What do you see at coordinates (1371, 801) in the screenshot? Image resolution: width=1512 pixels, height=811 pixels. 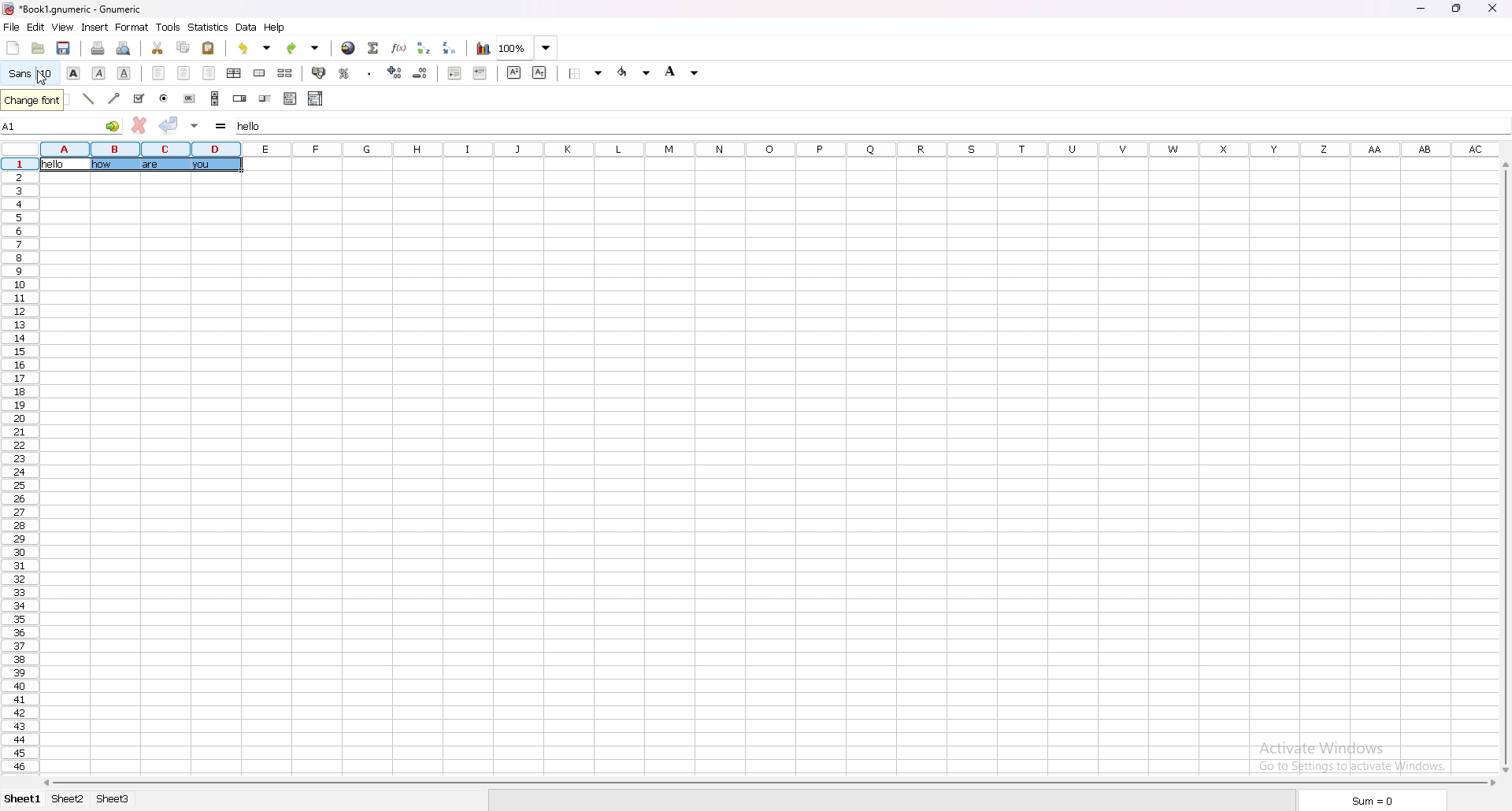 I see `sum` at bounding box center [1371, 801].